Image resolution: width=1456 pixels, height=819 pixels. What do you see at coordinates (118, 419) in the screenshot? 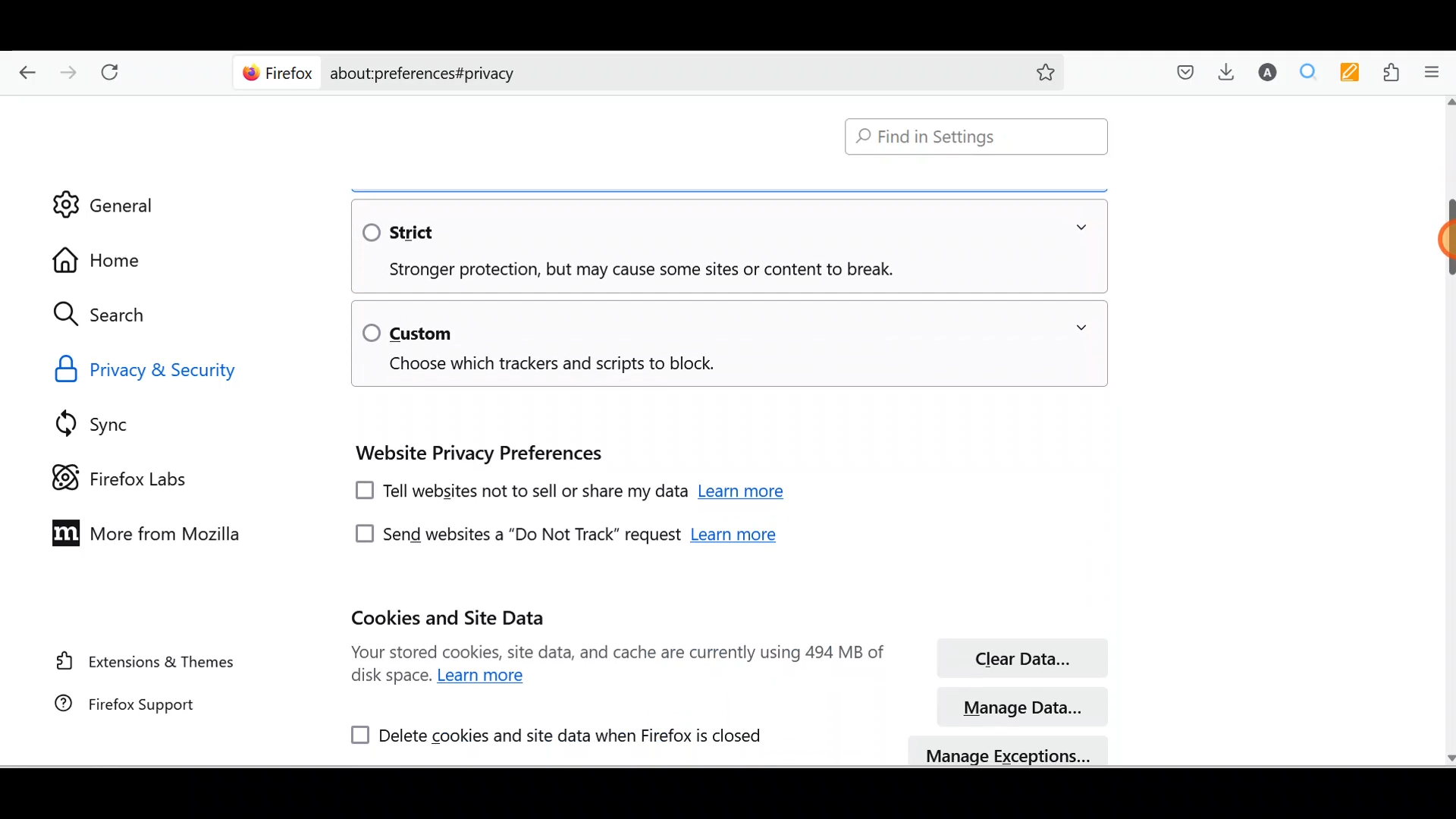
I see `Sync` at bounding box center [118, 419].